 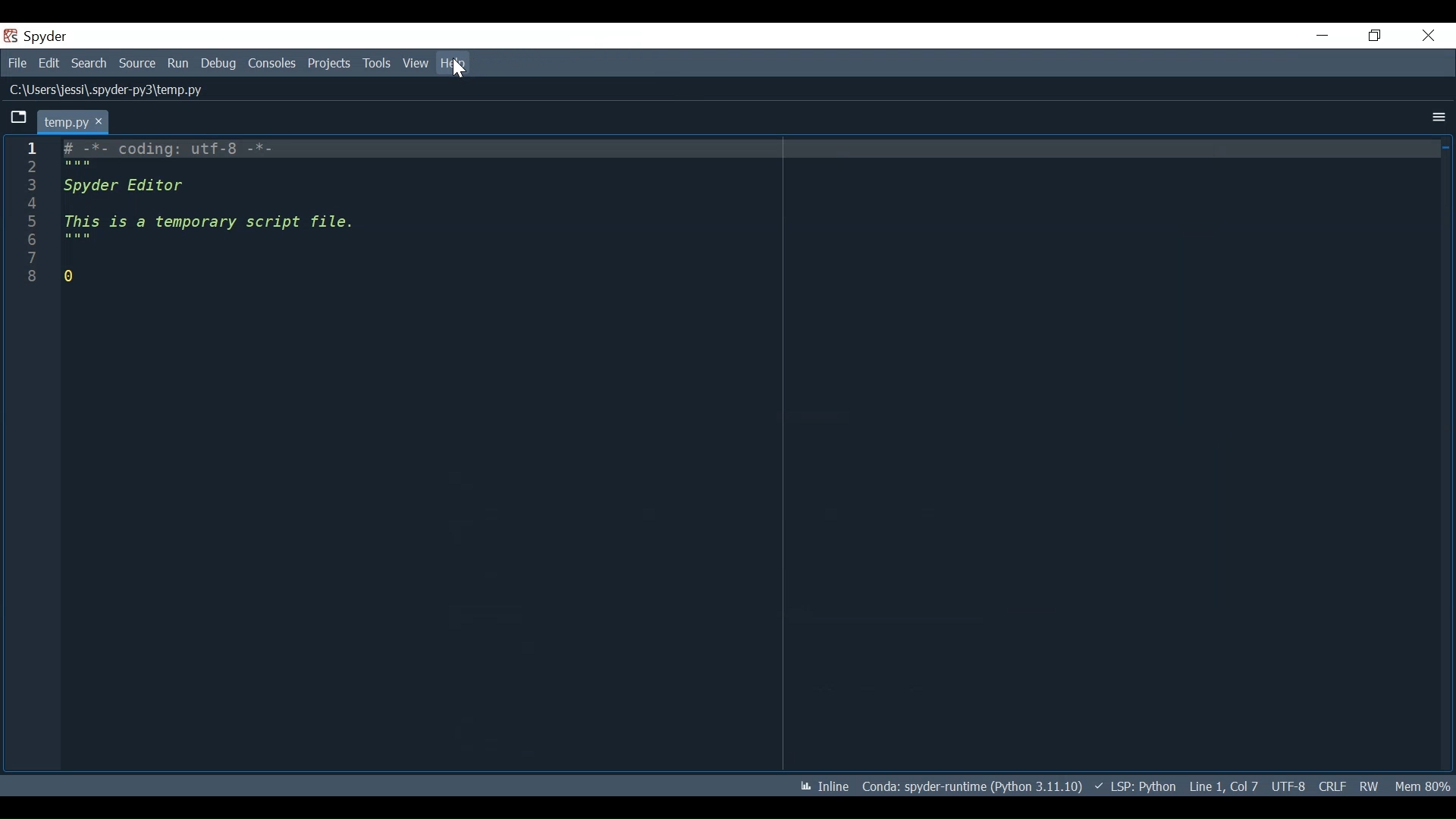 I want to click on CRLF, so click(x=1332, y=786).